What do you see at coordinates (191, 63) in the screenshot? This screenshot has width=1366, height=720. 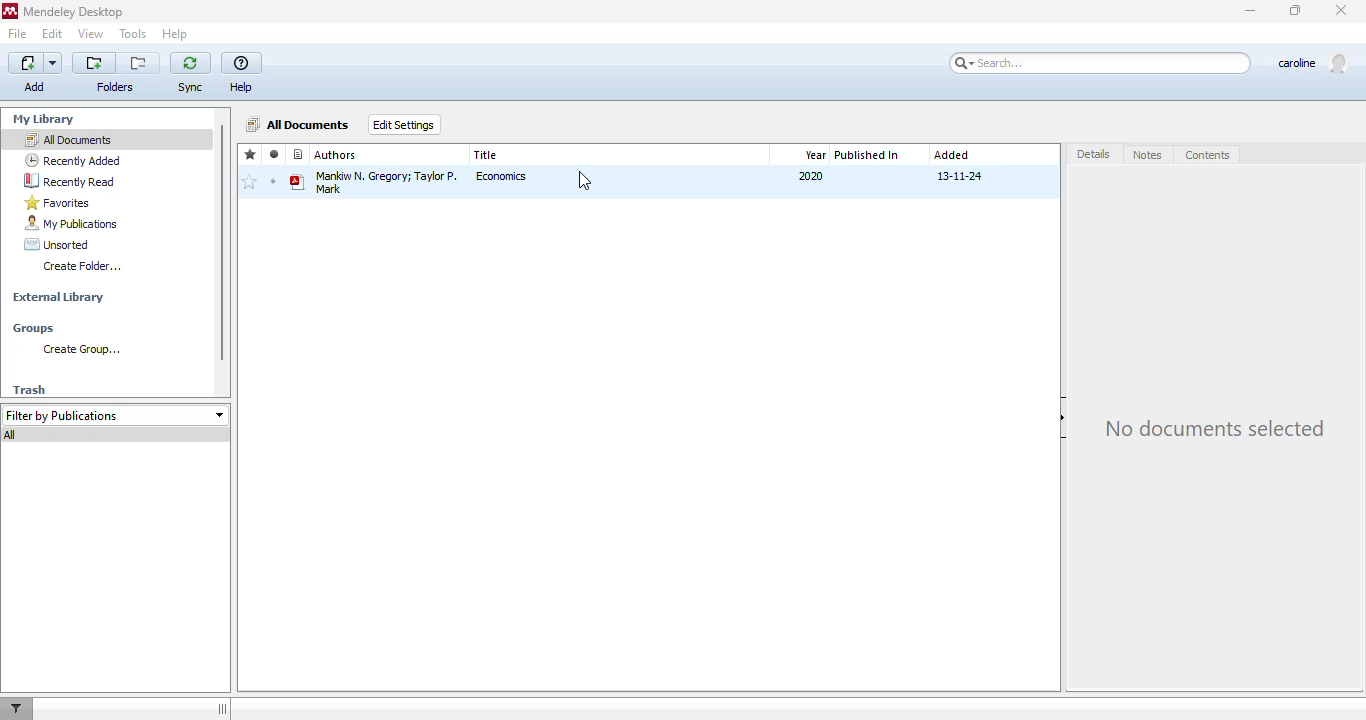 I see `sync` at bounding box center [191, 63].